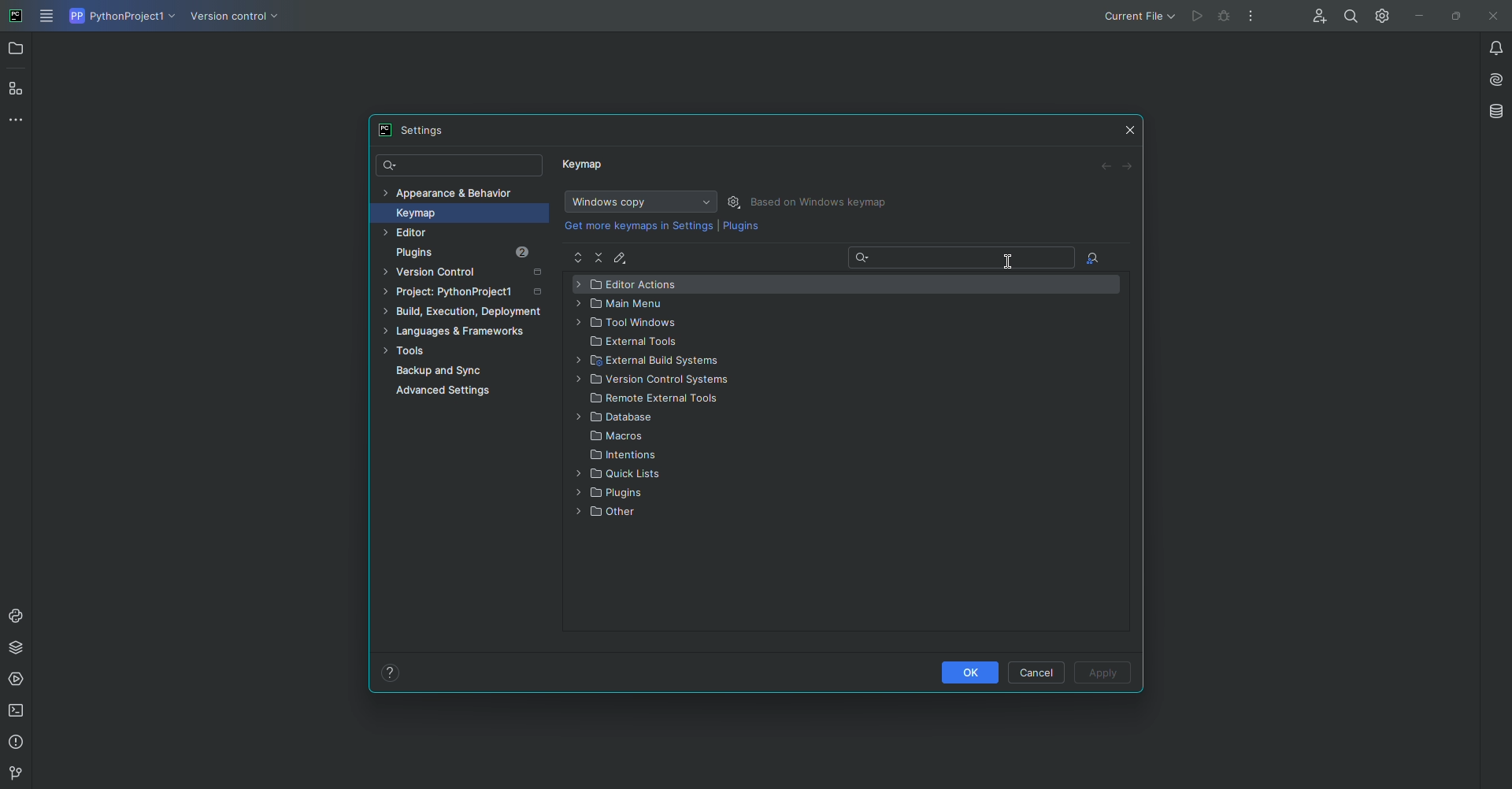 This screenshot has height=789, width=1512. What do you see at coordinates (1199, 17) in the screenshot?
I see `Cannot run the file` at bounding box center [1199, 17].